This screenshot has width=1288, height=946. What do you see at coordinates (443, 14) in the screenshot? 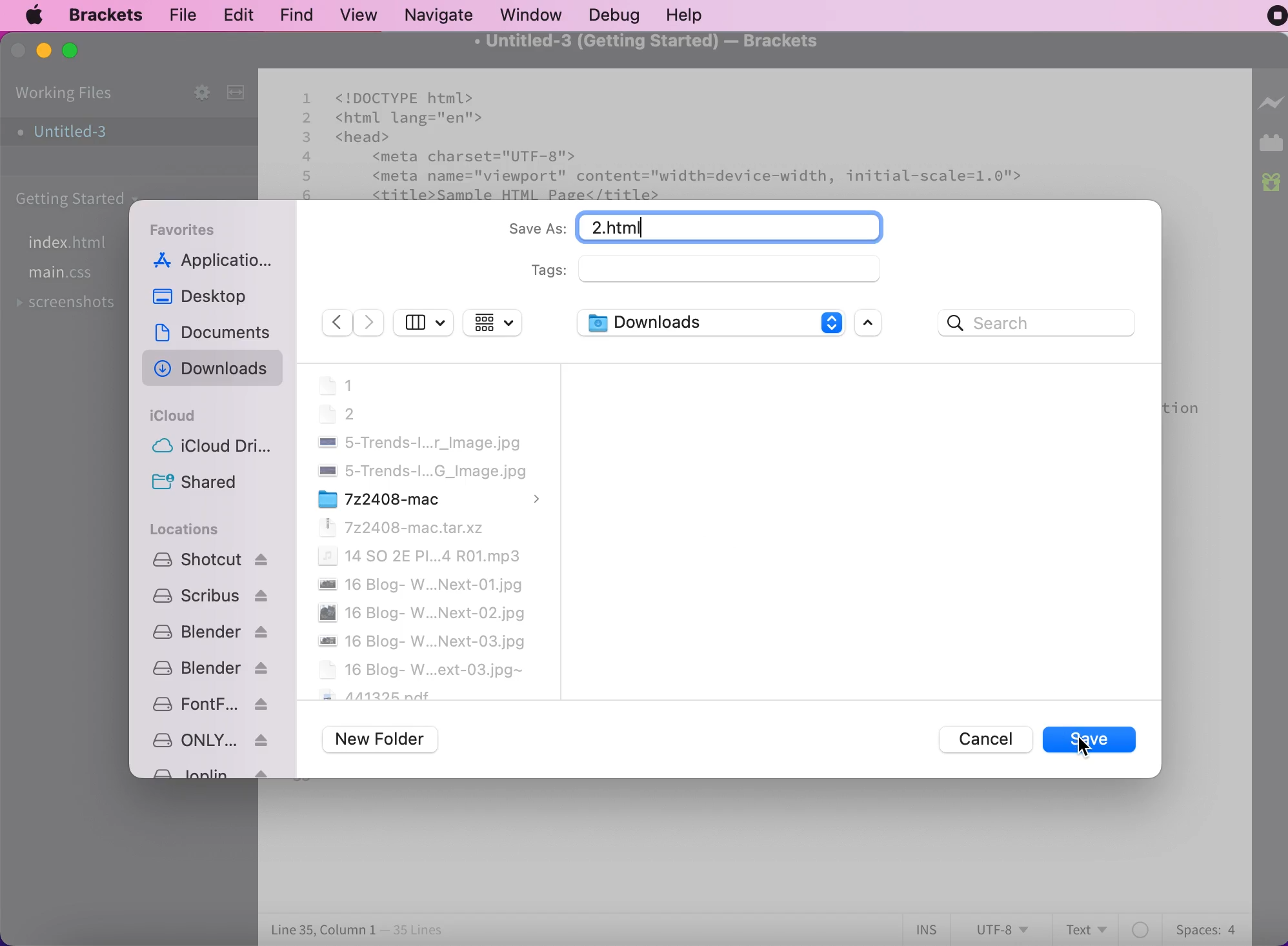
I see `navigate` at bounding box center [443, 14].